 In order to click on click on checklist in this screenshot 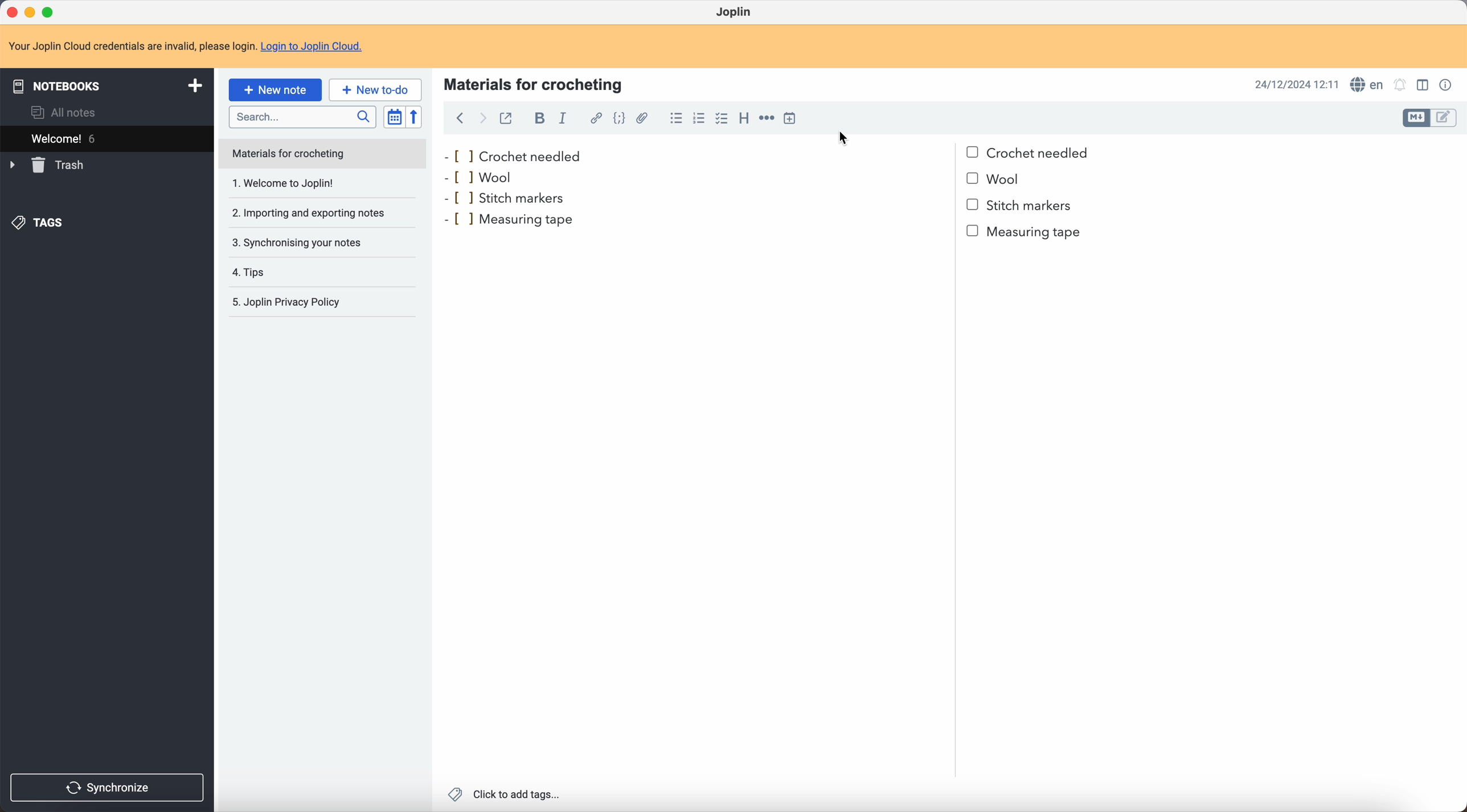, I will do `click(719, 118)`.